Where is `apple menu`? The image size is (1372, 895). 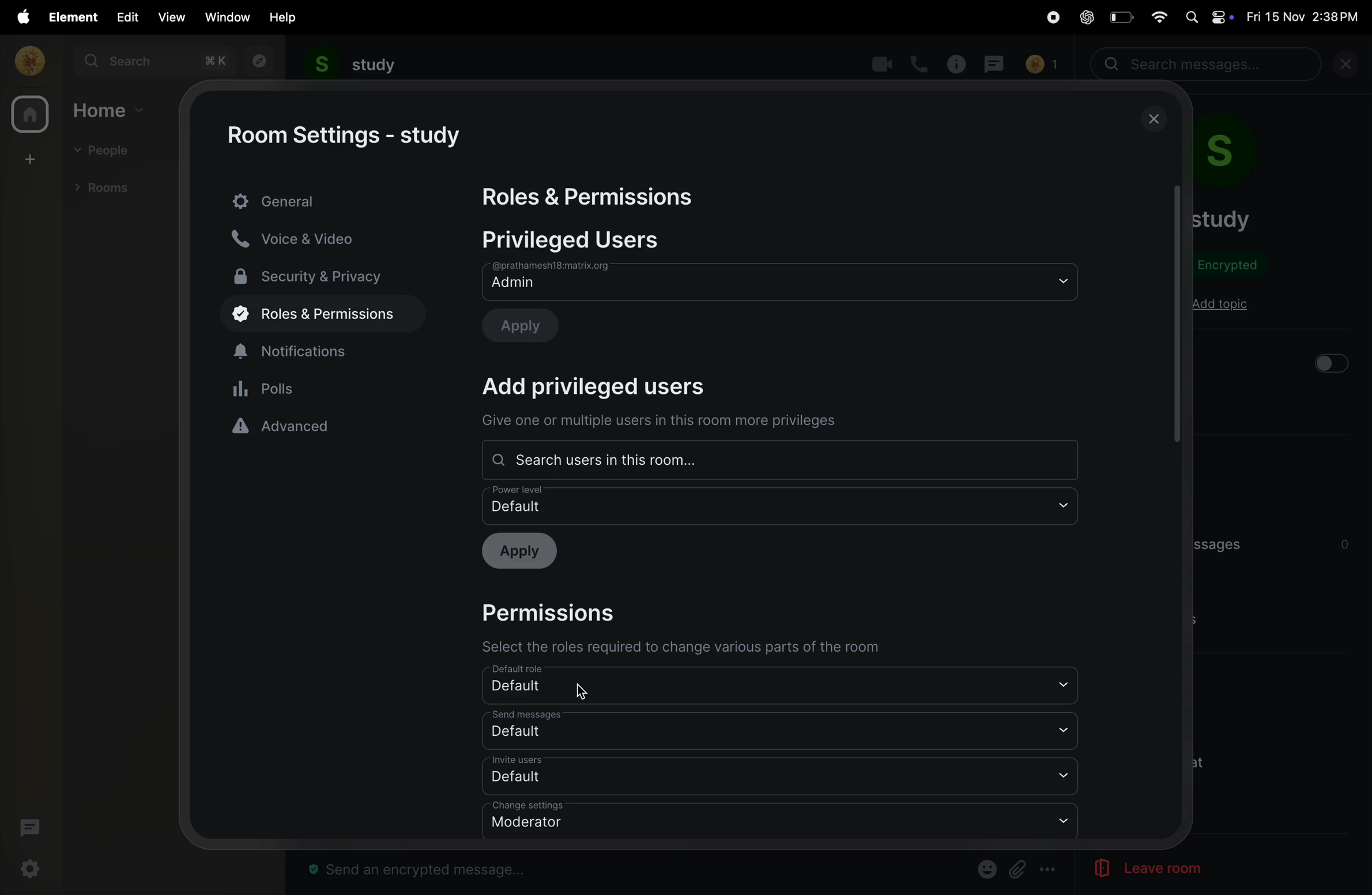
apple menu is located at coordinates (19, 17).